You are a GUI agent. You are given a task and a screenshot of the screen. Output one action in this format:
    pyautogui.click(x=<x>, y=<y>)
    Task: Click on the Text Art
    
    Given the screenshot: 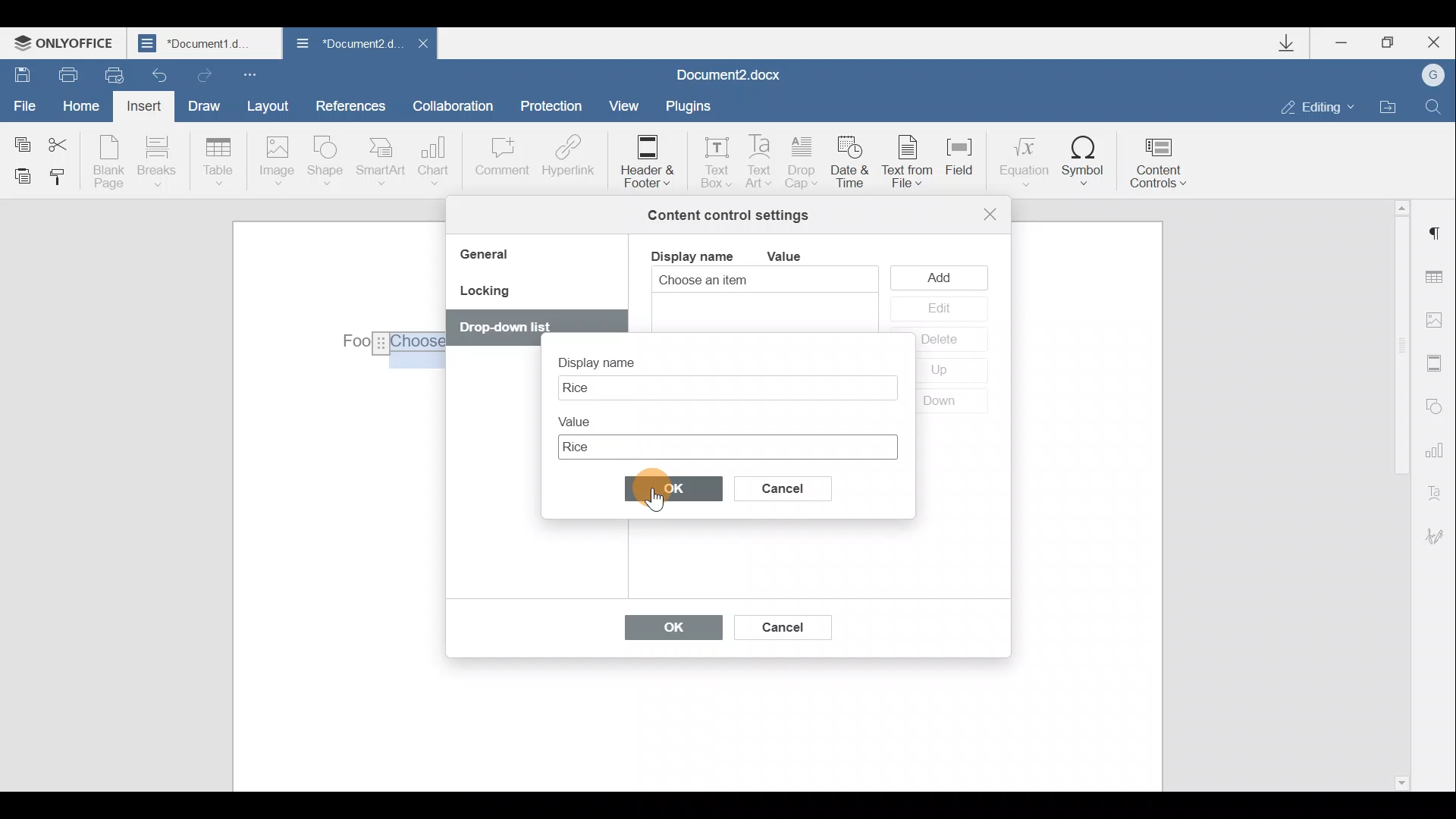 What is the action you would take?
    pyautogui.click(x=761, y=162)
    